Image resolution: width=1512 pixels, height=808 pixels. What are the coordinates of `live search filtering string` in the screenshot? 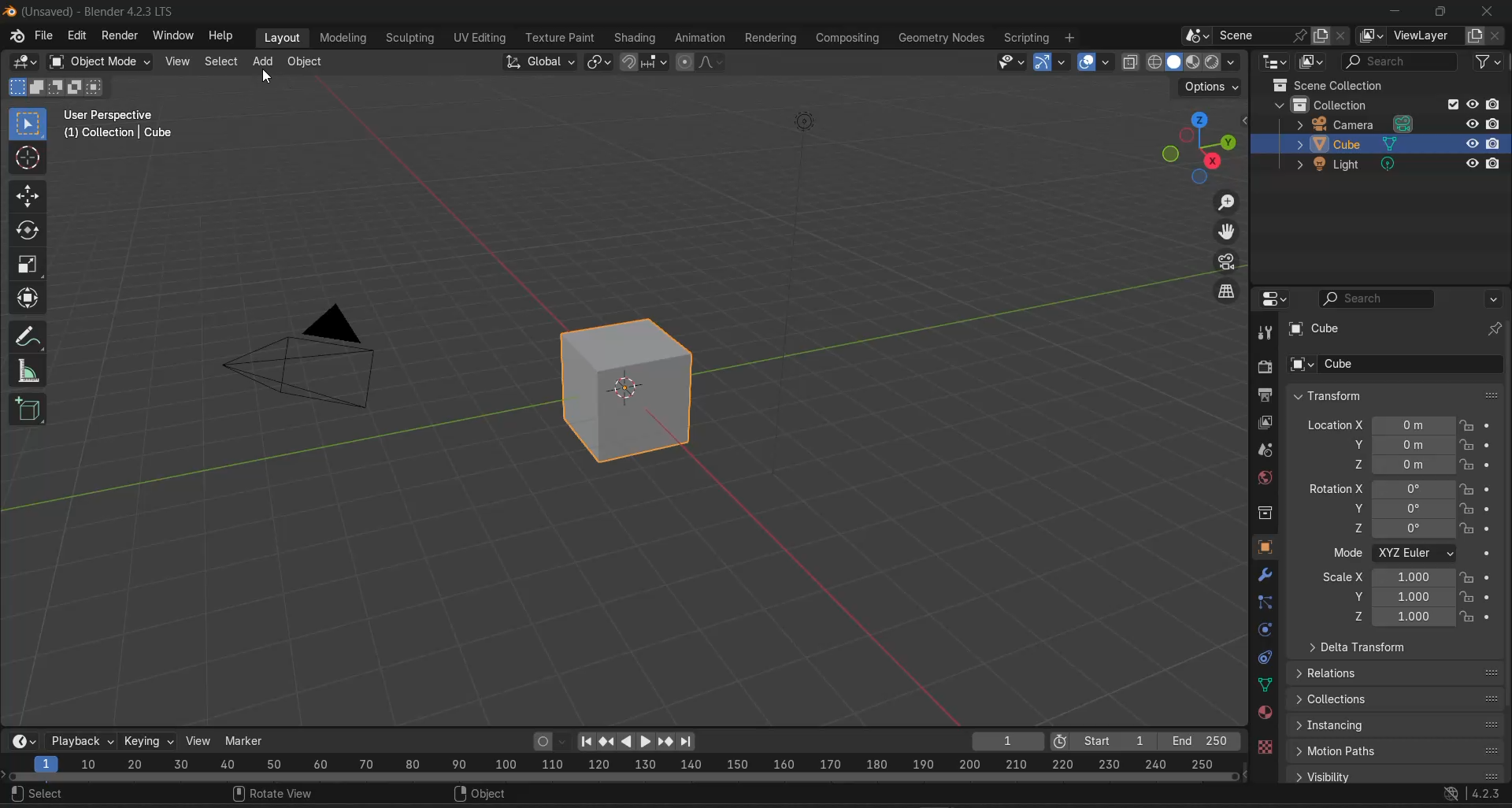 It's located at (1380, 298).